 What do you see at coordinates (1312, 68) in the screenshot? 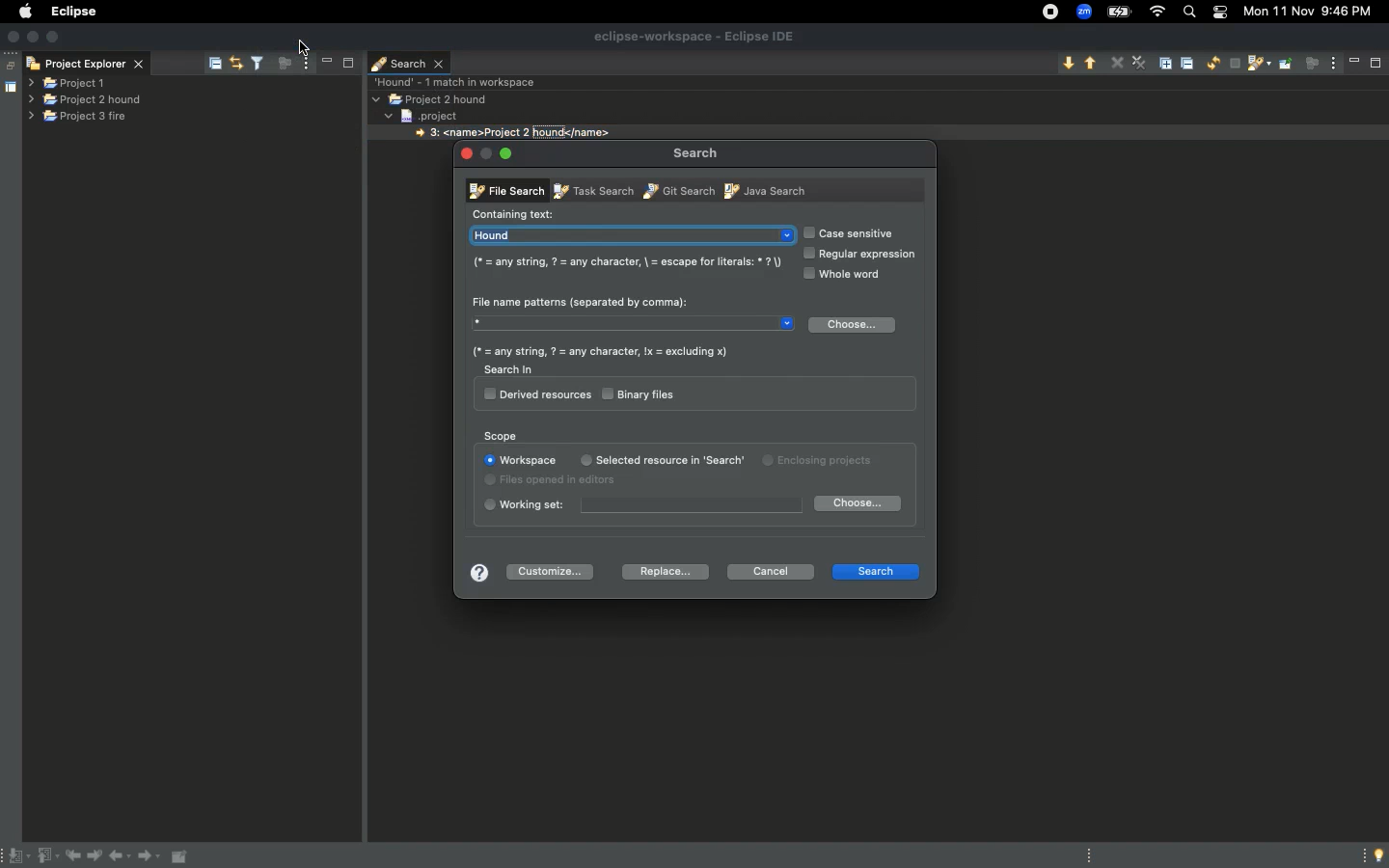
I see `focus on active activity` at bounding box center [1312, 68].